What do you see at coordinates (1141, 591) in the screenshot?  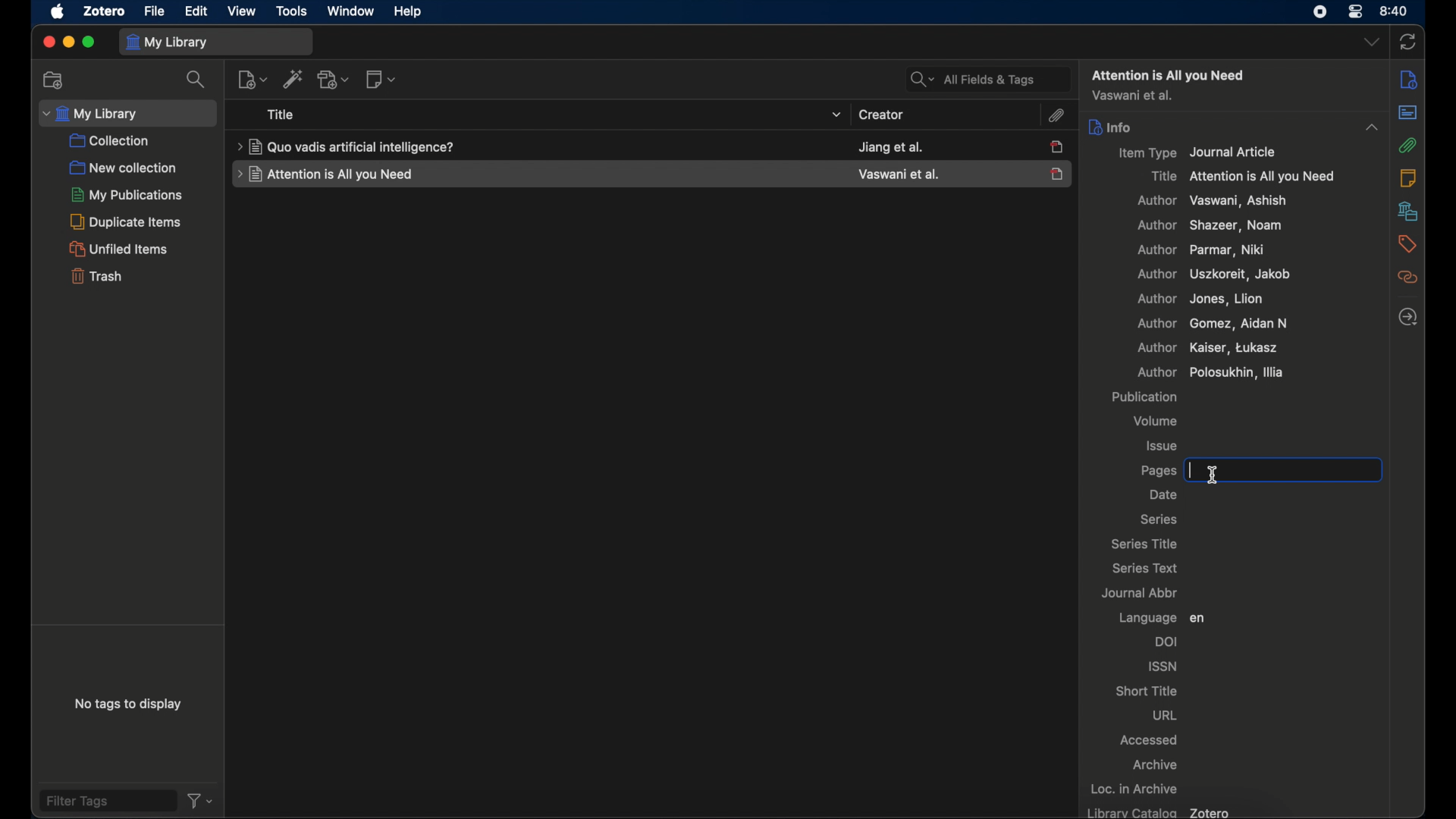 I see `journal abbr` at bounding box center [1141, 591].